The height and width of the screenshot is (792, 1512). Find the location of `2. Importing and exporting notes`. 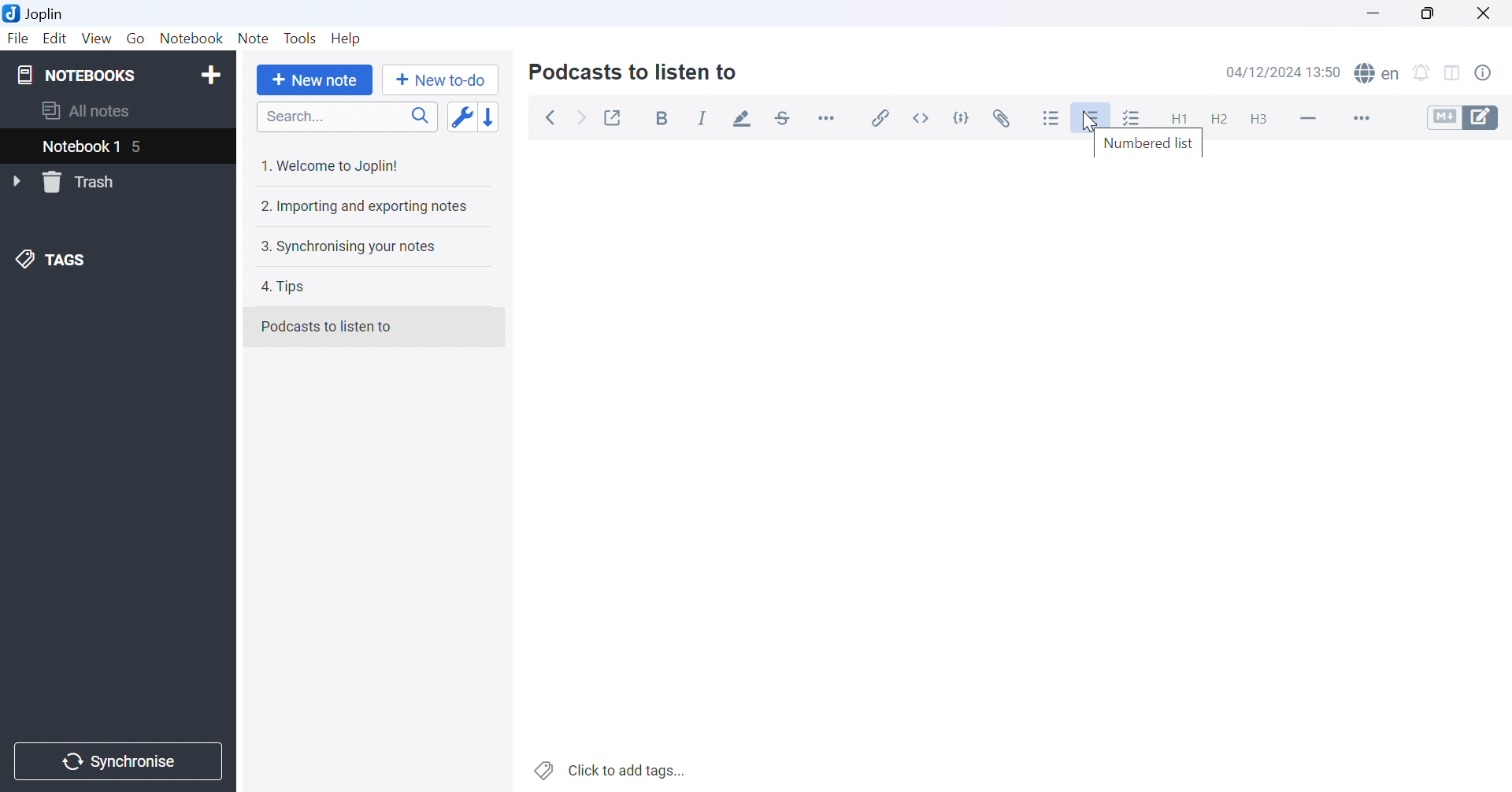

2. Importing and exporting notes is located at coordinates (365, 208).